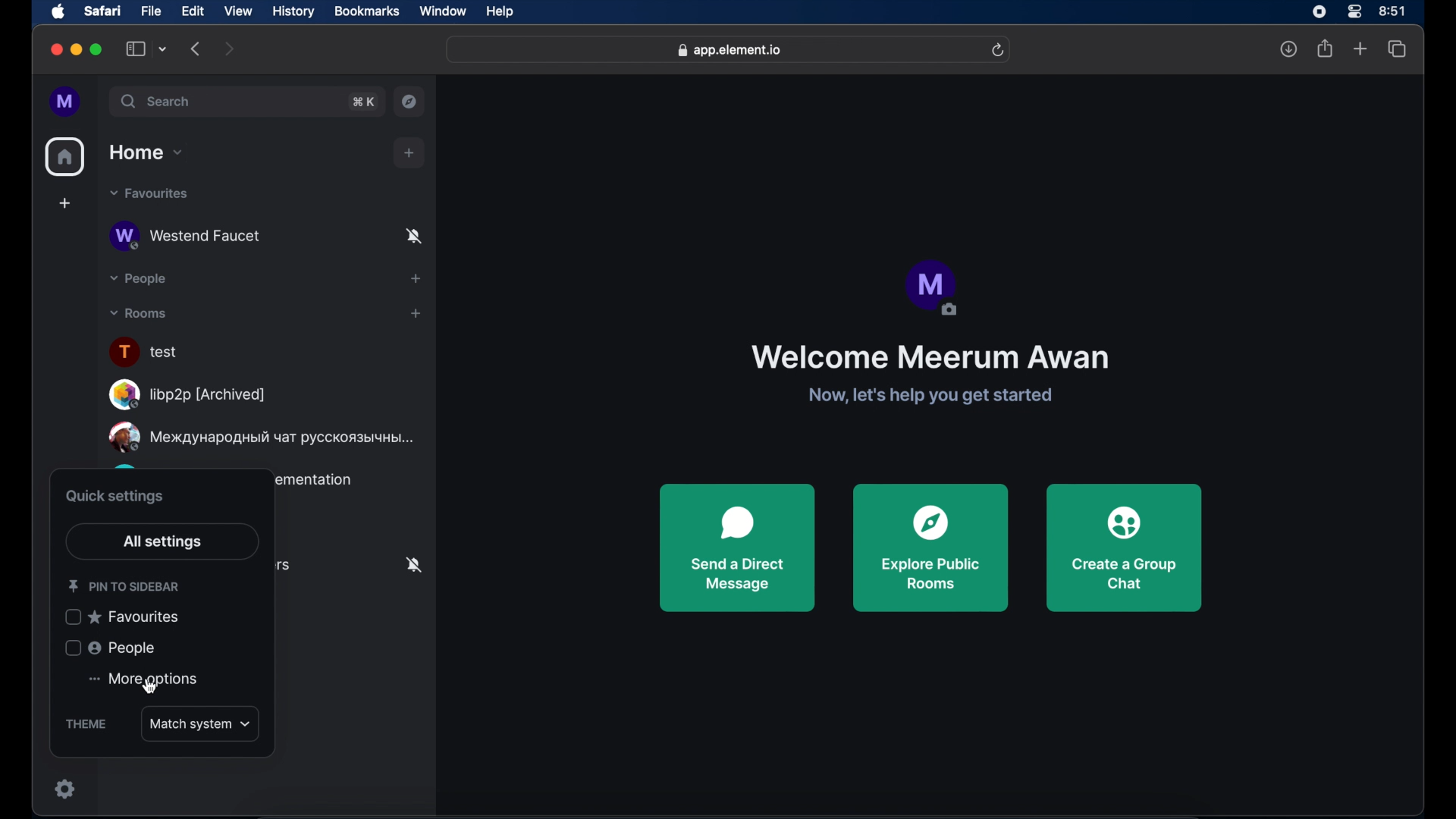  I want to click on time, so click(1394, 12).